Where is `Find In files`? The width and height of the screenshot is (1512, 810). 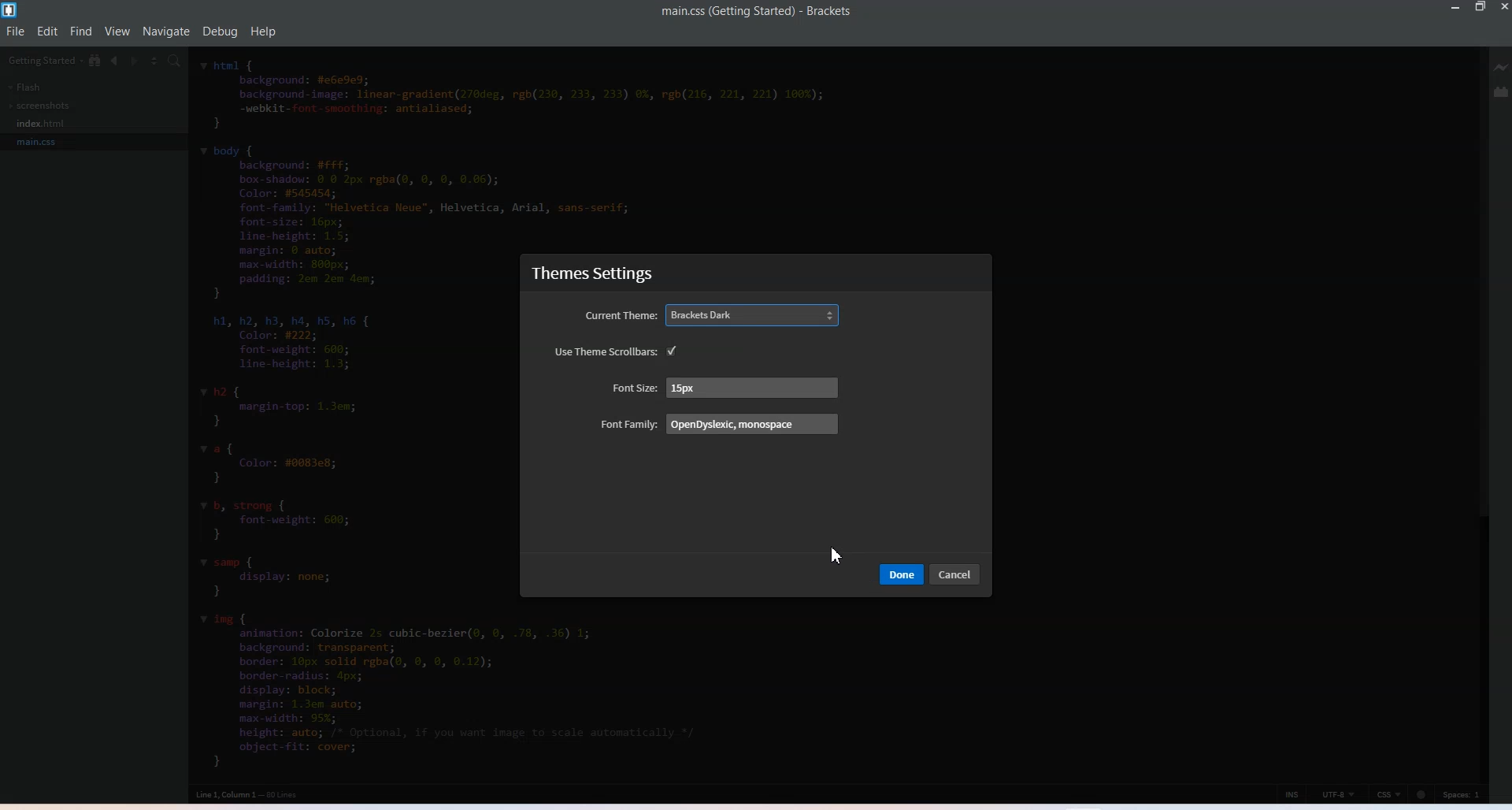 Find In files is located at coordinates (176, 61).